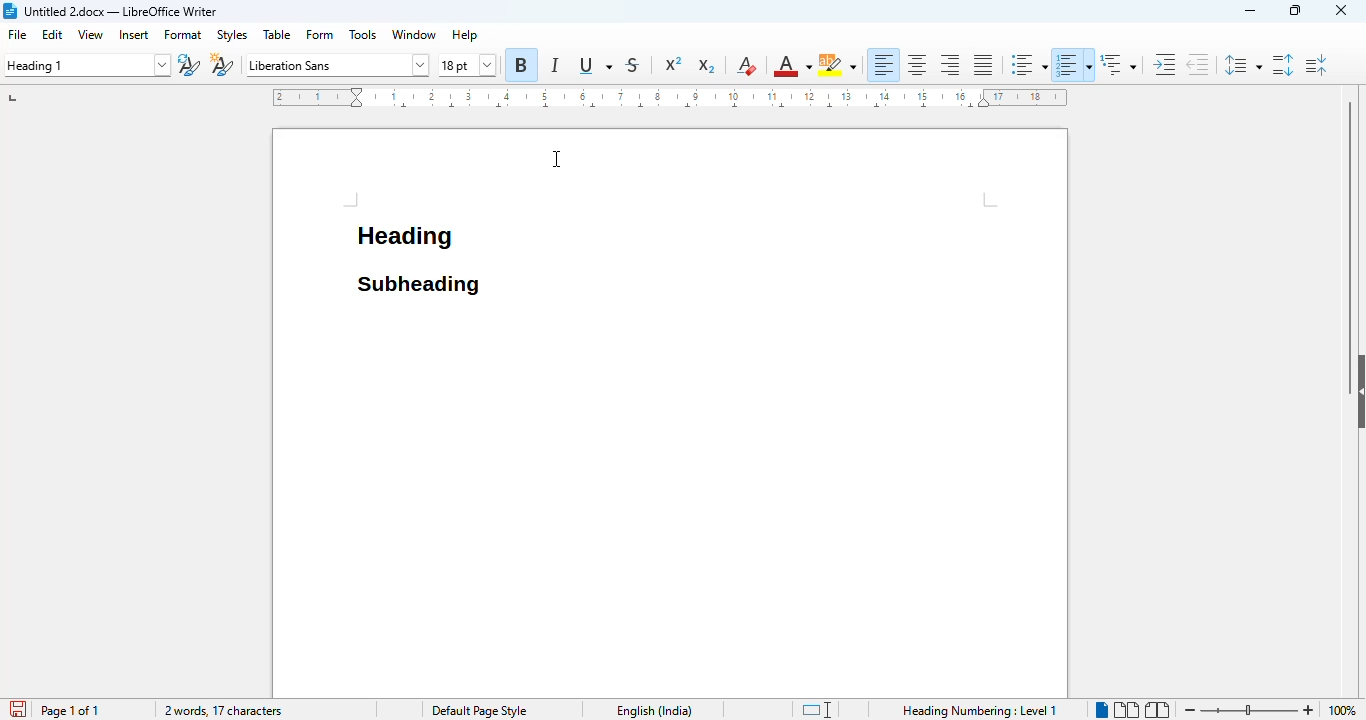 This screenshot has width=1366, height=720. Describe the element at coordinates (883, 64) in the screenshot. I see `align left` at that location.